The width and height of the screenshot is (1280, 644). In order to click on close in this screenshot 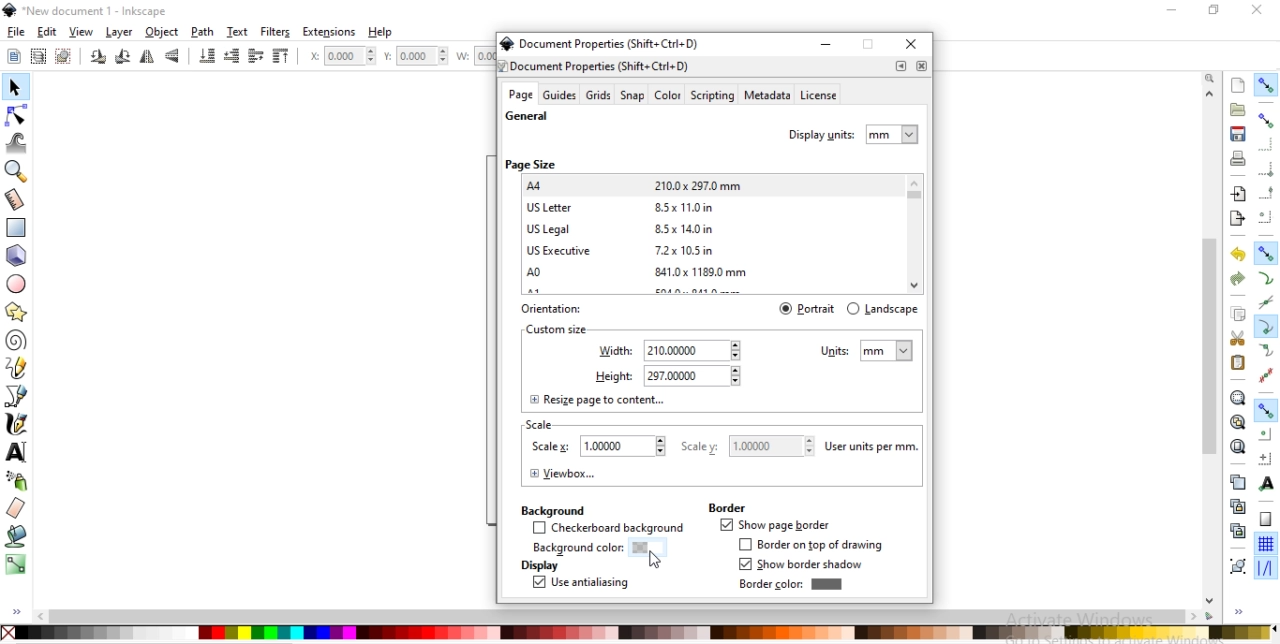, I will do `click(1258, 10)`.